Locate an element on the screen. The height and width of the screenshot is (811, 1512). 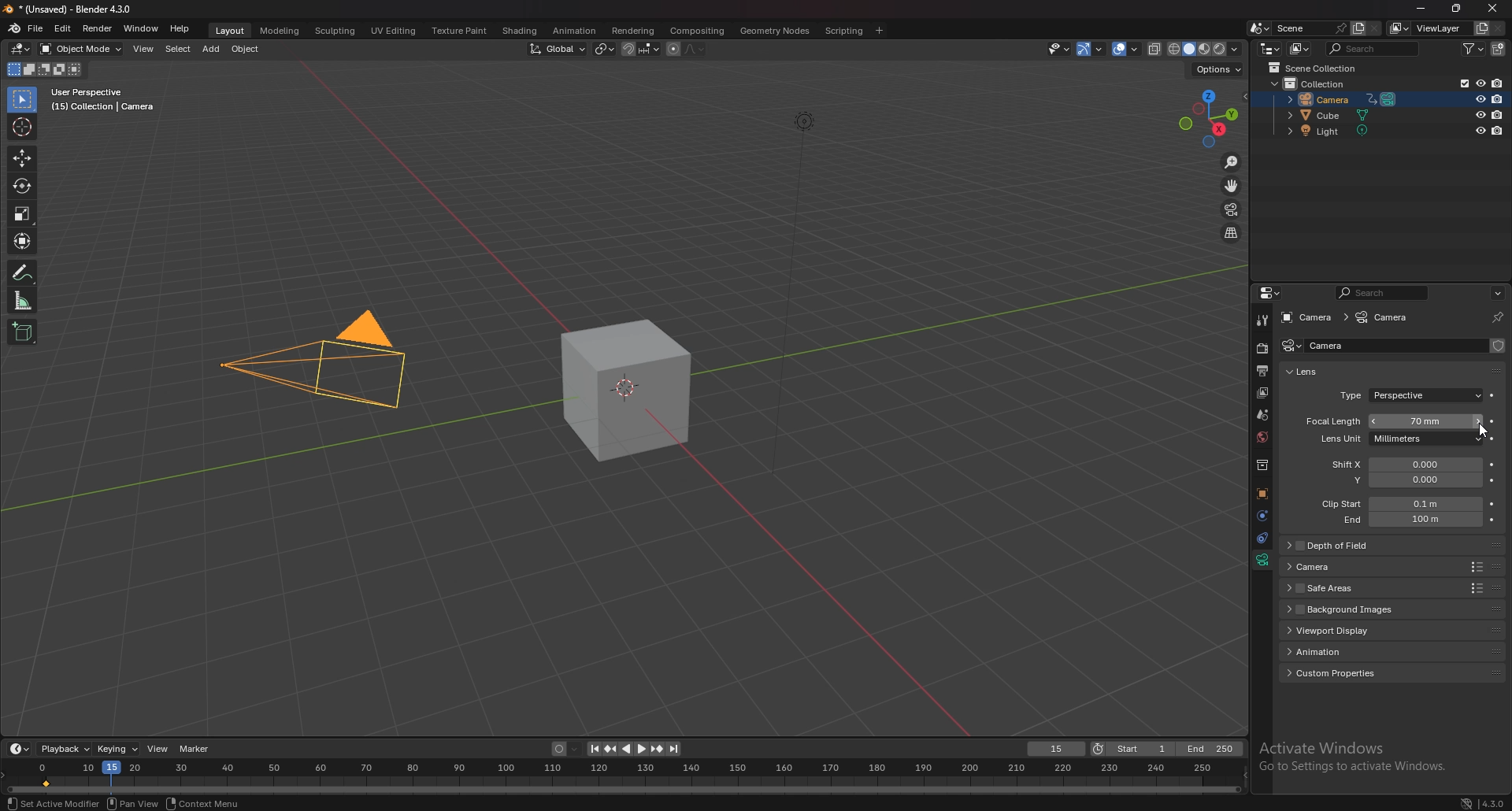
layout is located at coordinates (232, 31).